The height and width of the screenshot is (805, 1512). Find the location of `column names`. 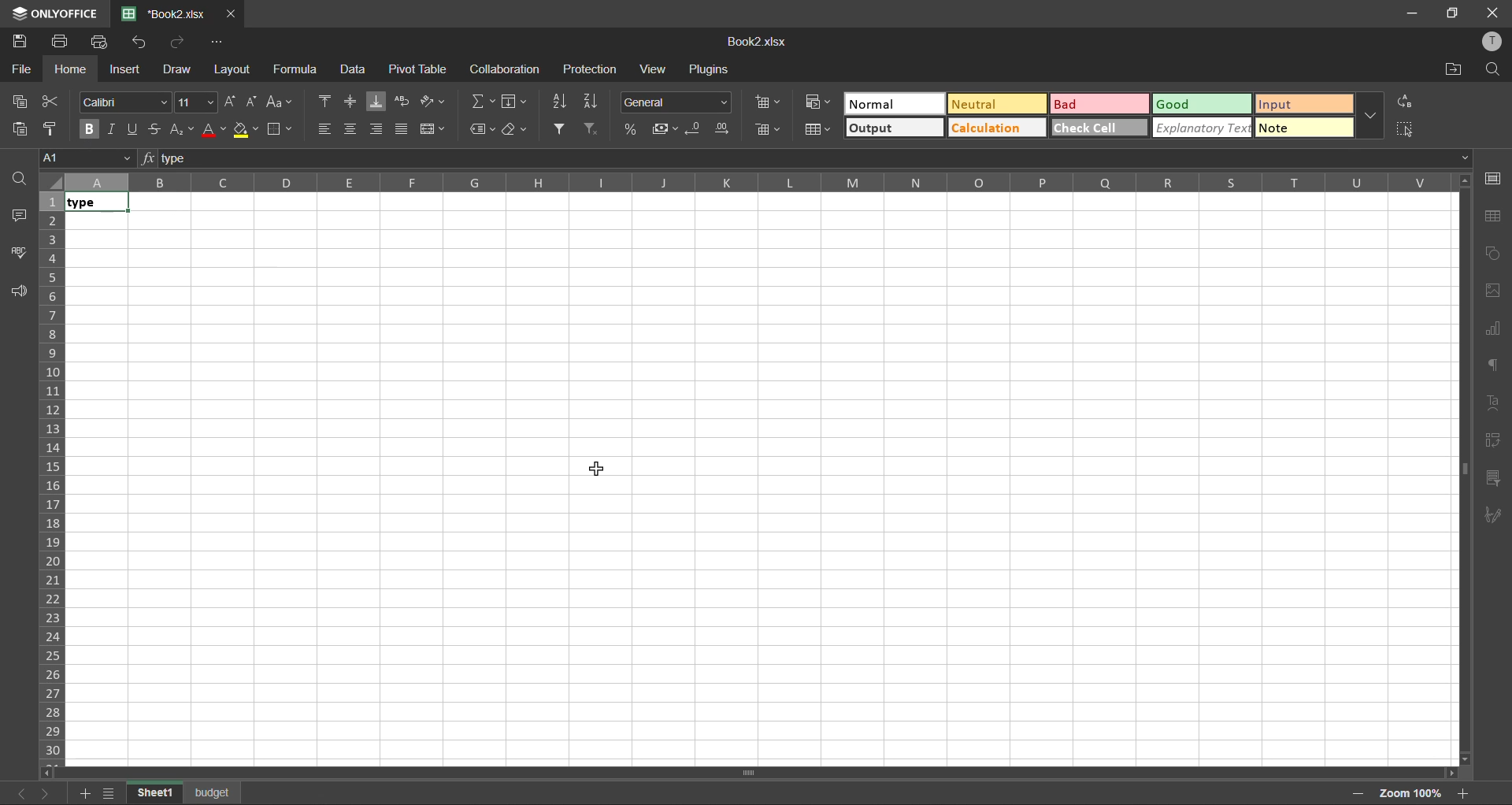

column names is located at coordinates (756, 182).